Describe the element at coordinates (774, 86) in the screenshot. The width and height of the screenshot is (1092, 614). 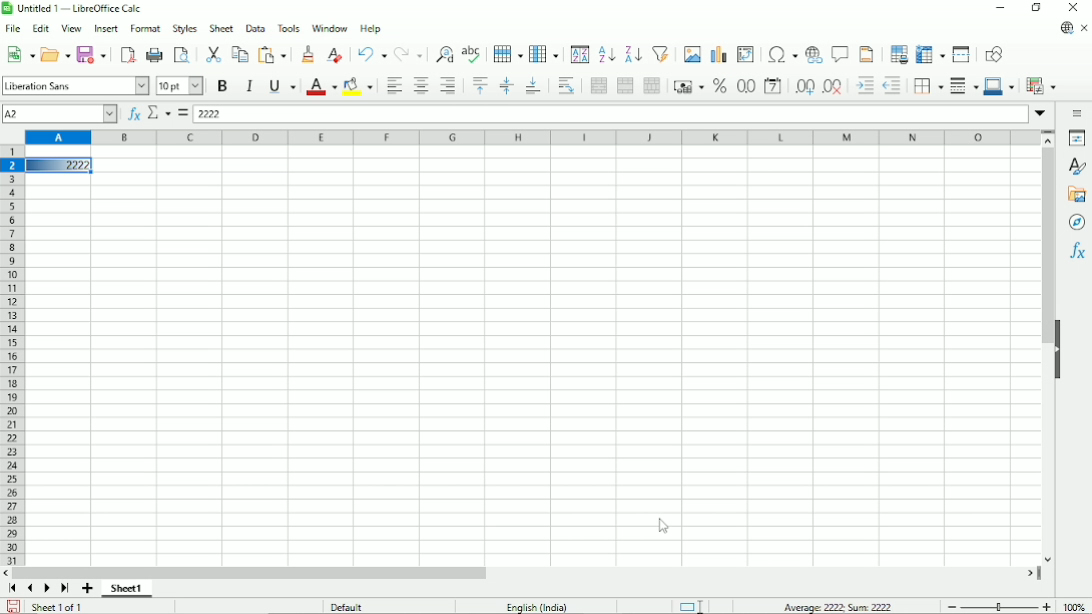
I see `Format as date` at that location.